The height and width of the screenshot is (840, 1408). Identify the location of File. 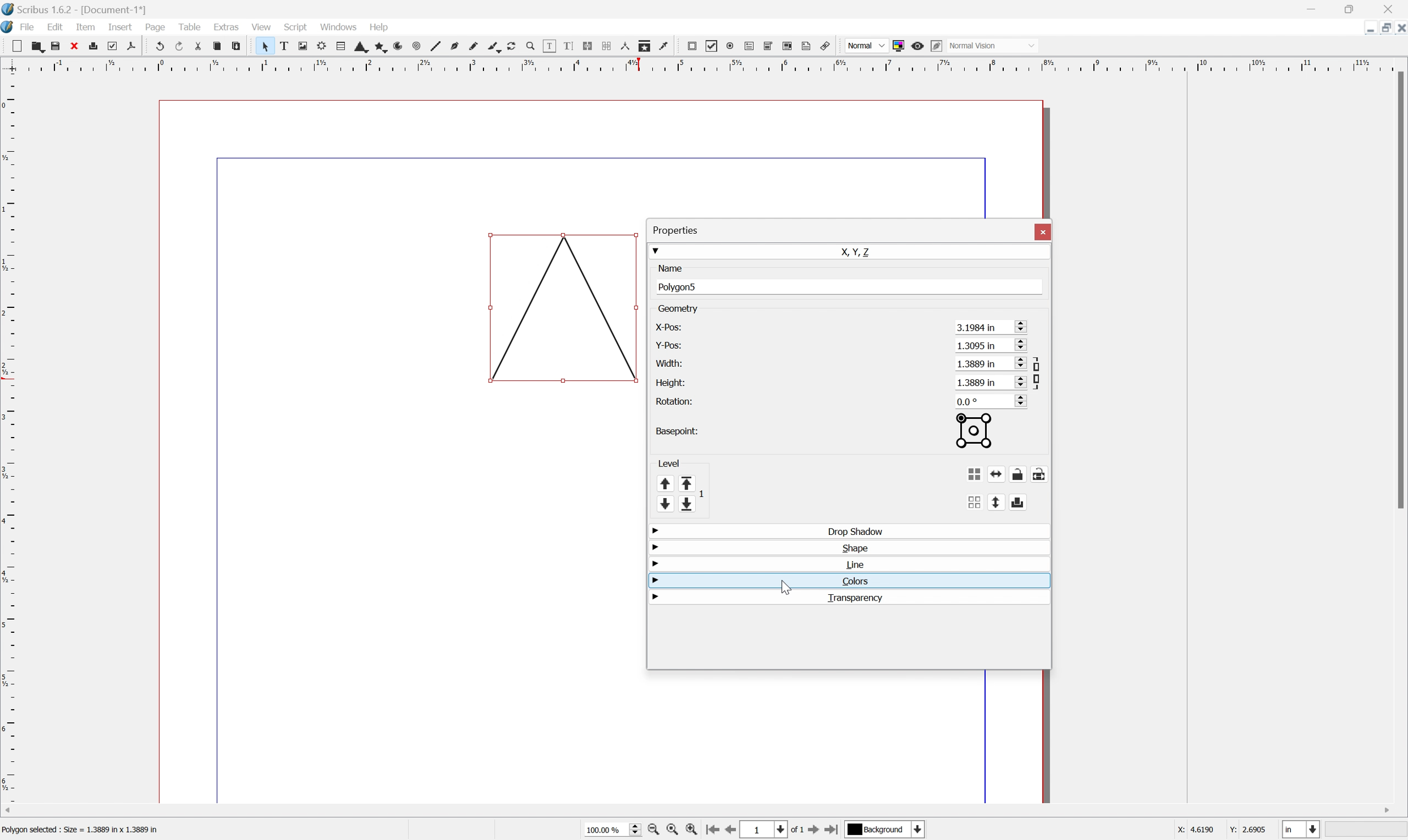
(27, 26).